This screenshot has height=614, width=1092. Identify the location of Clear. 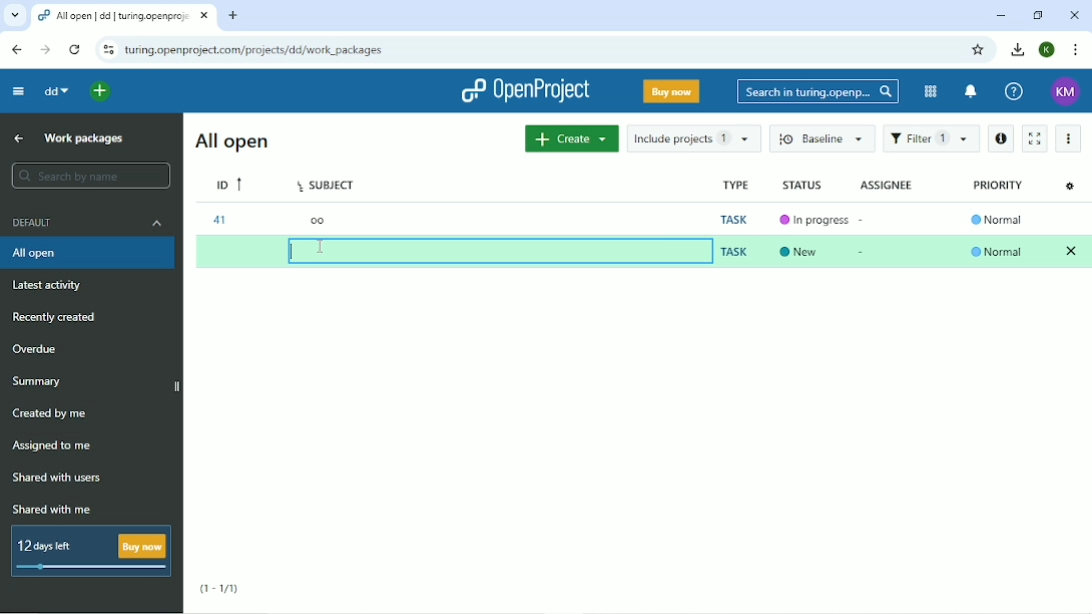
(1072, 250).